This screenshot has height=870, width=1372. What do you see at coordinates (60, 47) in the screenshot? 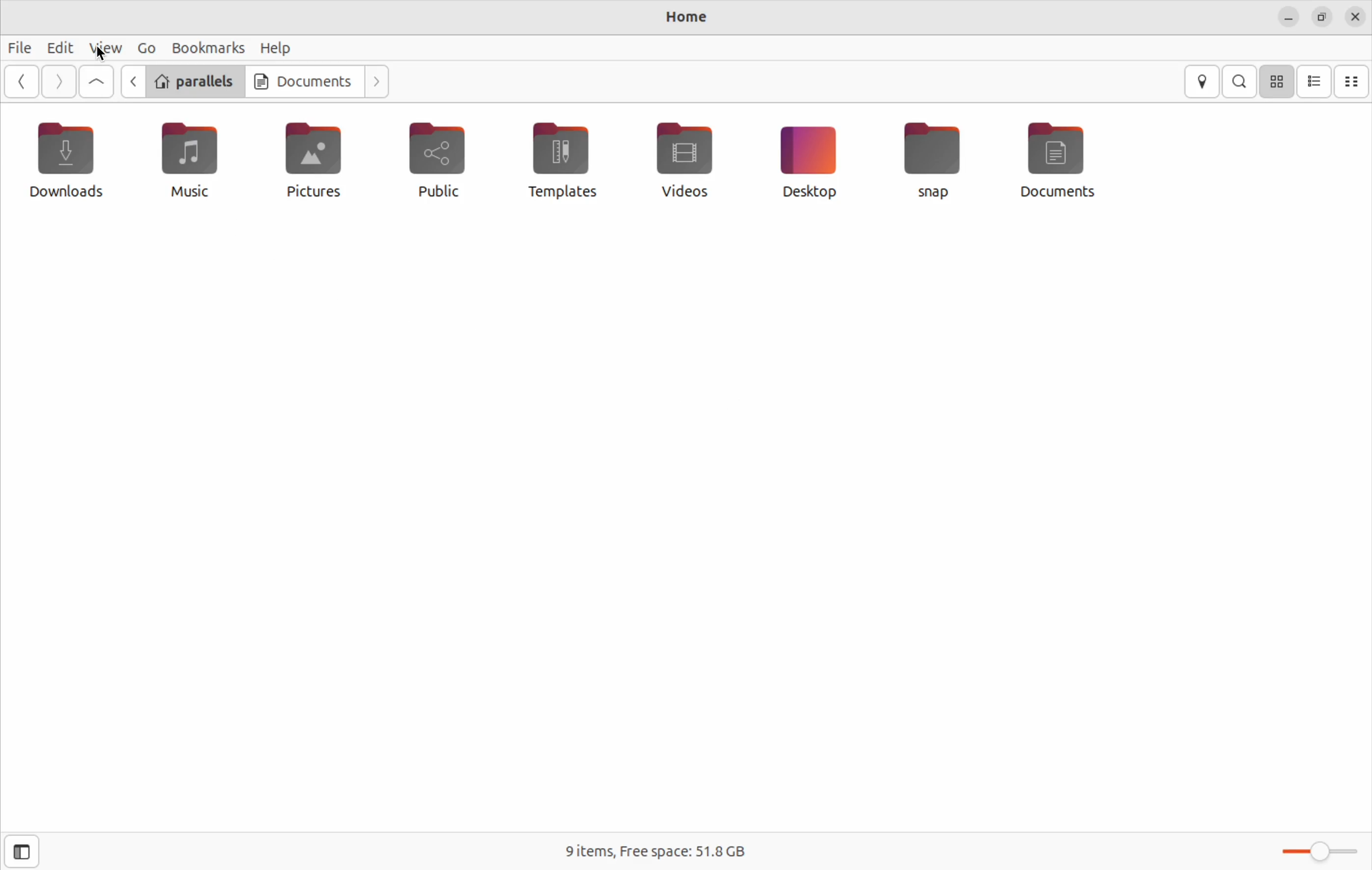
I see `Edit` at bounding box center [60, 47].